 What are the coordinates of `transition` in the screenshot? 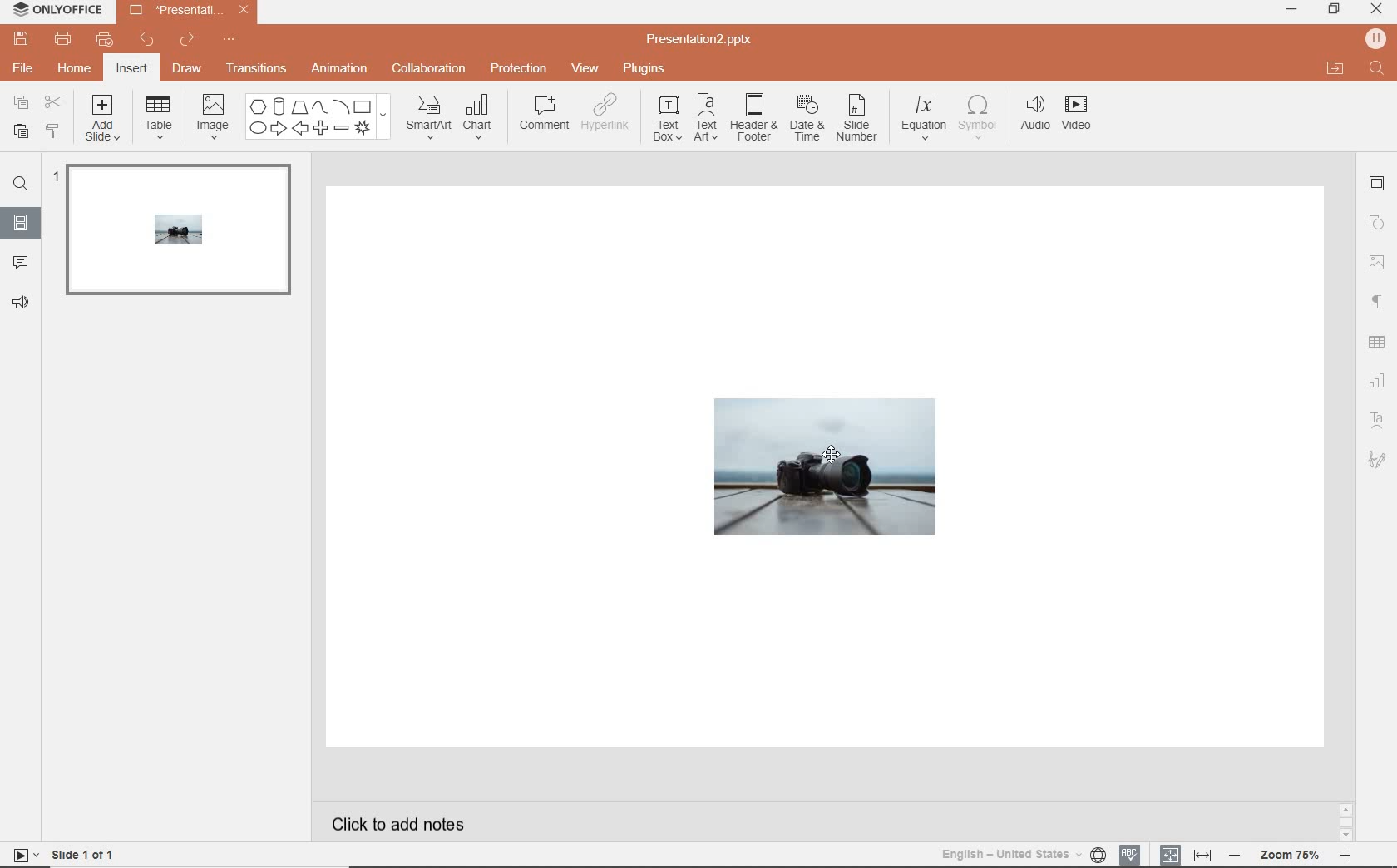 It's located at (256, 68).